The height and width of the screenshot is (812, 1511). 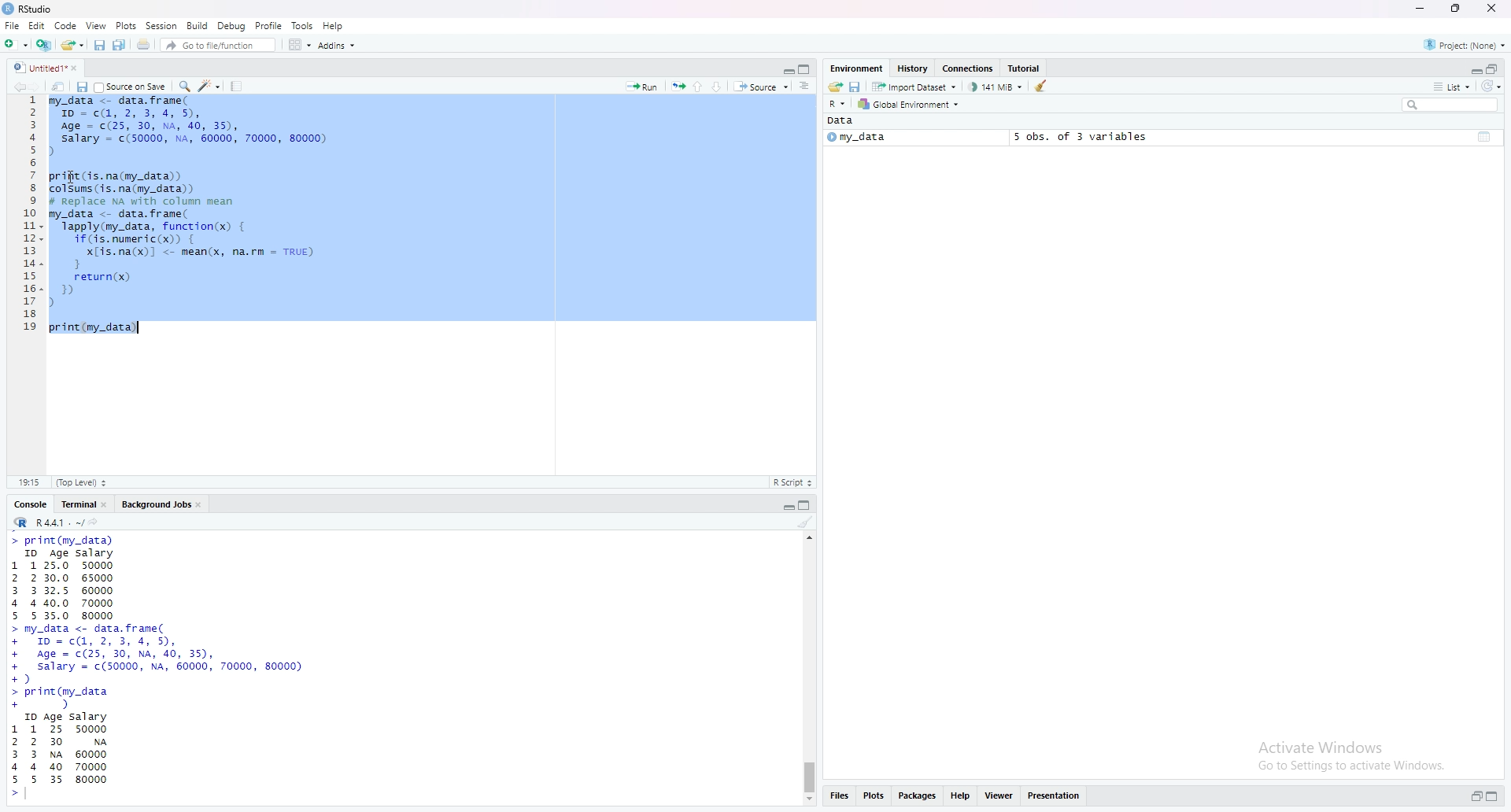 I want to click on save workspace, so click(x=856, y=88).